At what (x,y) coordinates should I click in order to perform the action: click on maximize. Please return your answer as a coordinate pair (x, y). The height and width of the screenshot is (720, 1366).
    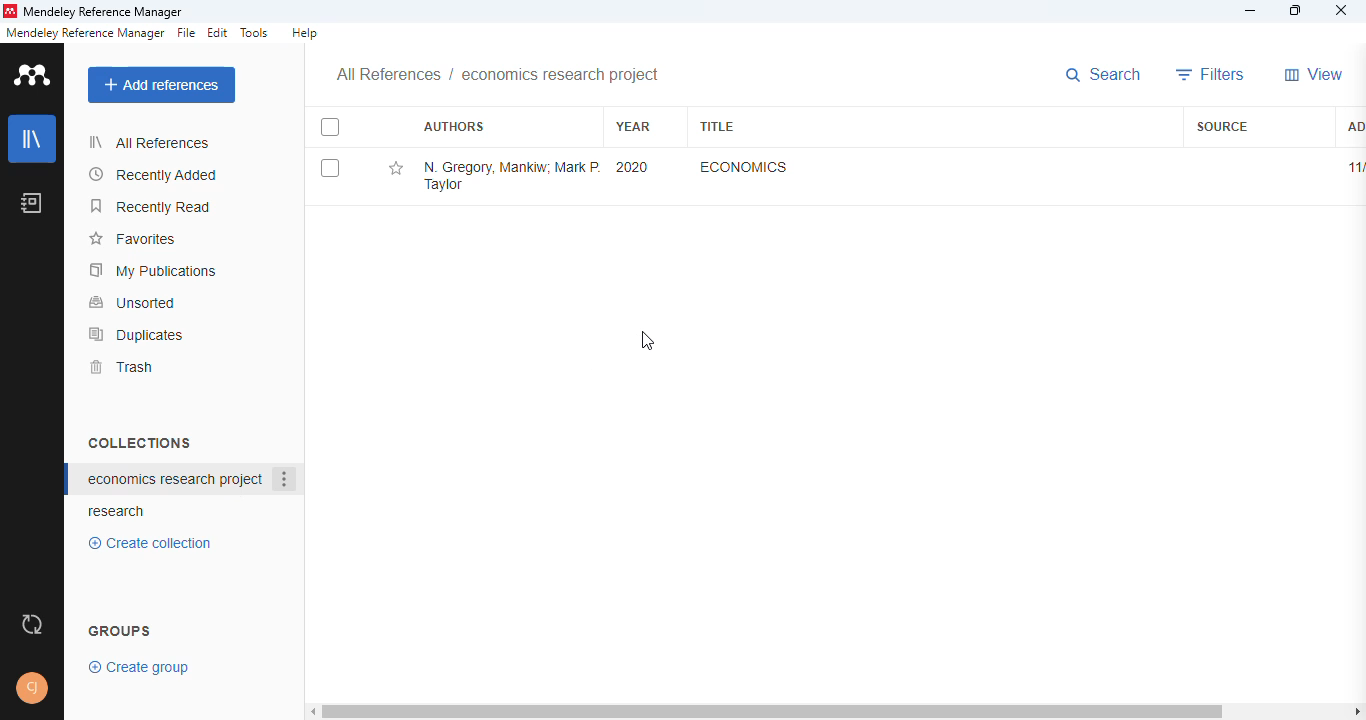
    Looking at the image, I should click on (1298, 11).